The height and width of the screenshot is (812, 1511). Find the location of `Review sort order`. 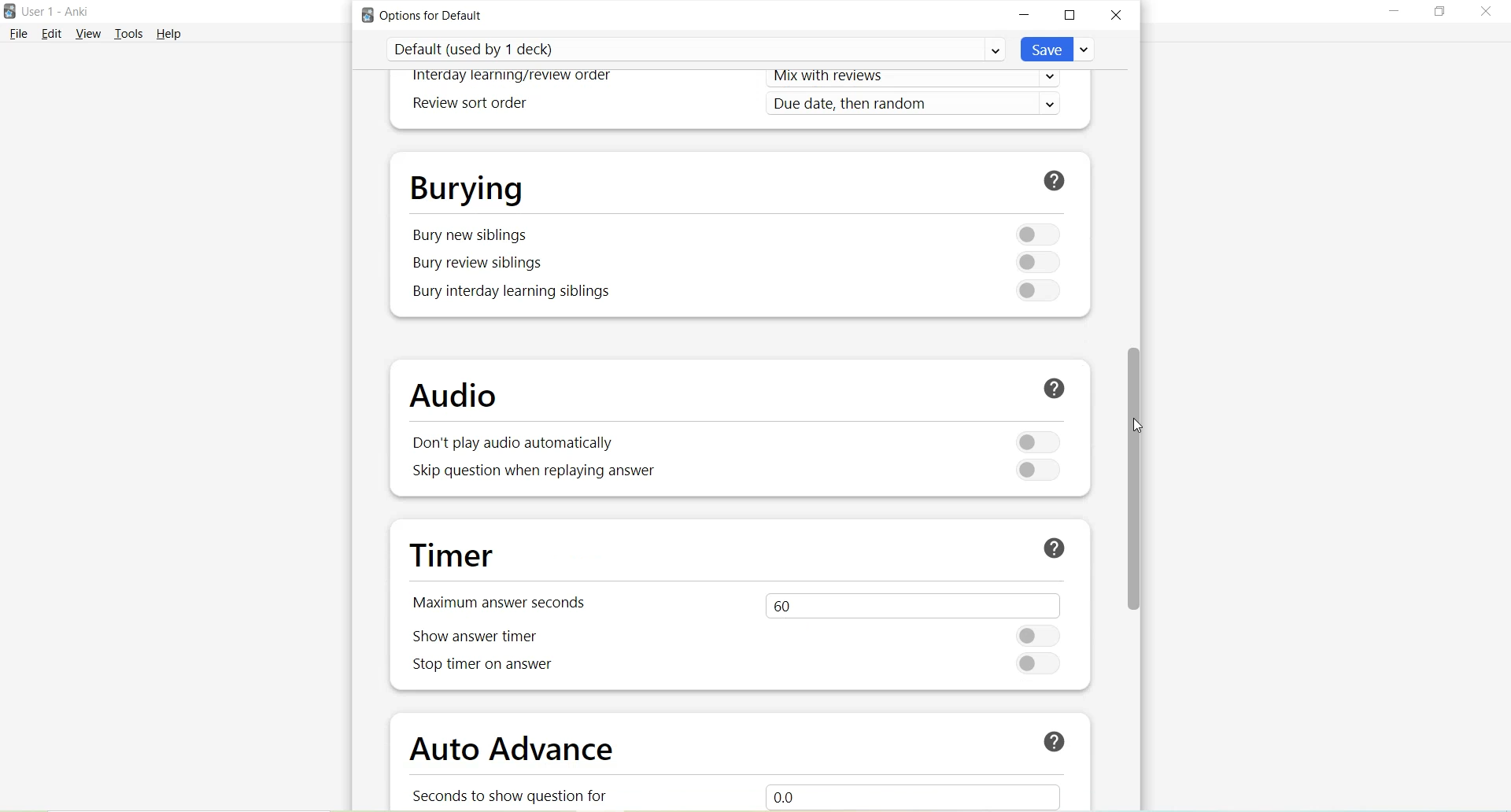

Review sort order is located at coordinates (467, 104).